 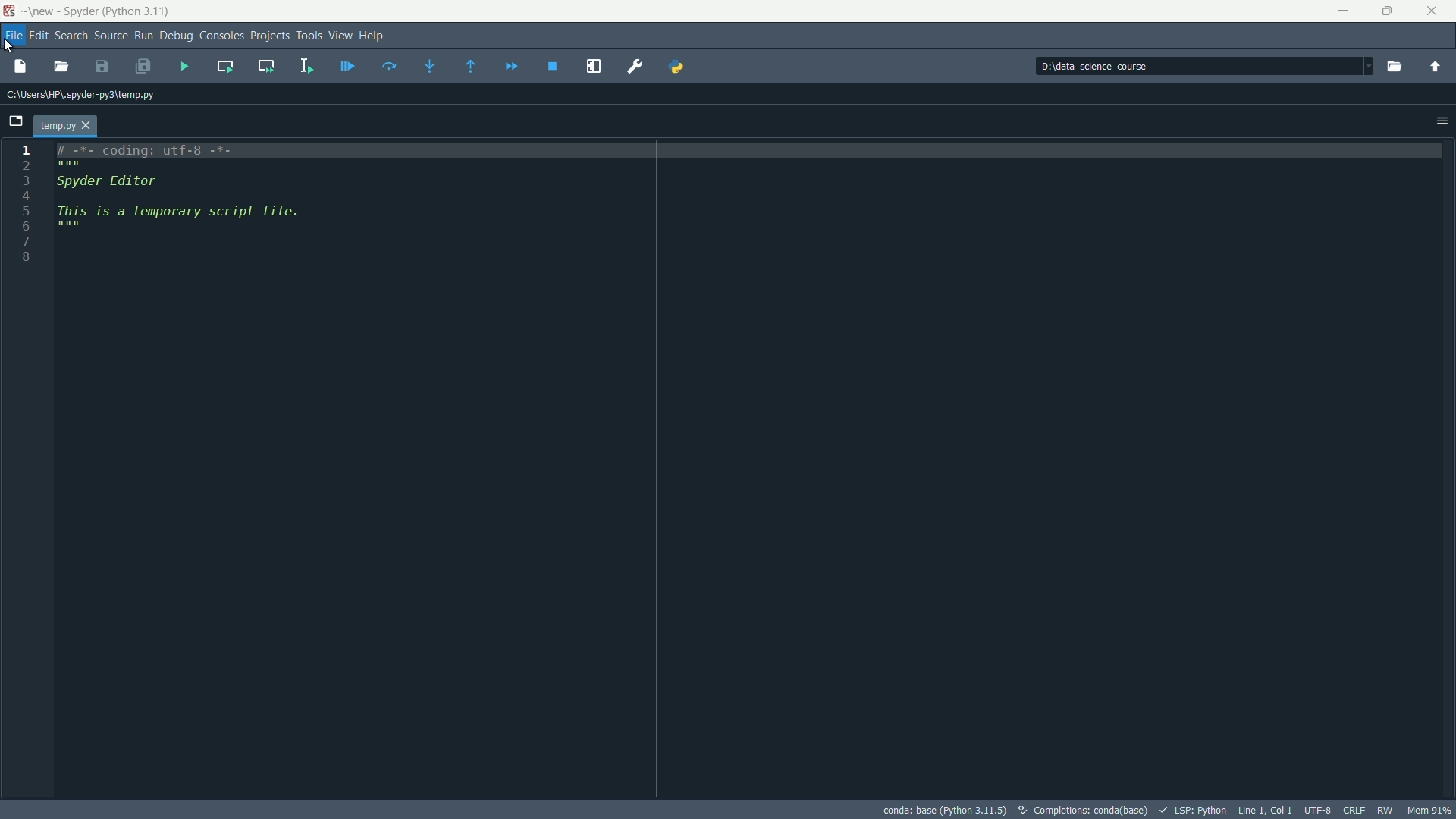 What do you see at coordinates (184, 67) in the screenshot?
I see `run file` at bounding box center [184, 67].